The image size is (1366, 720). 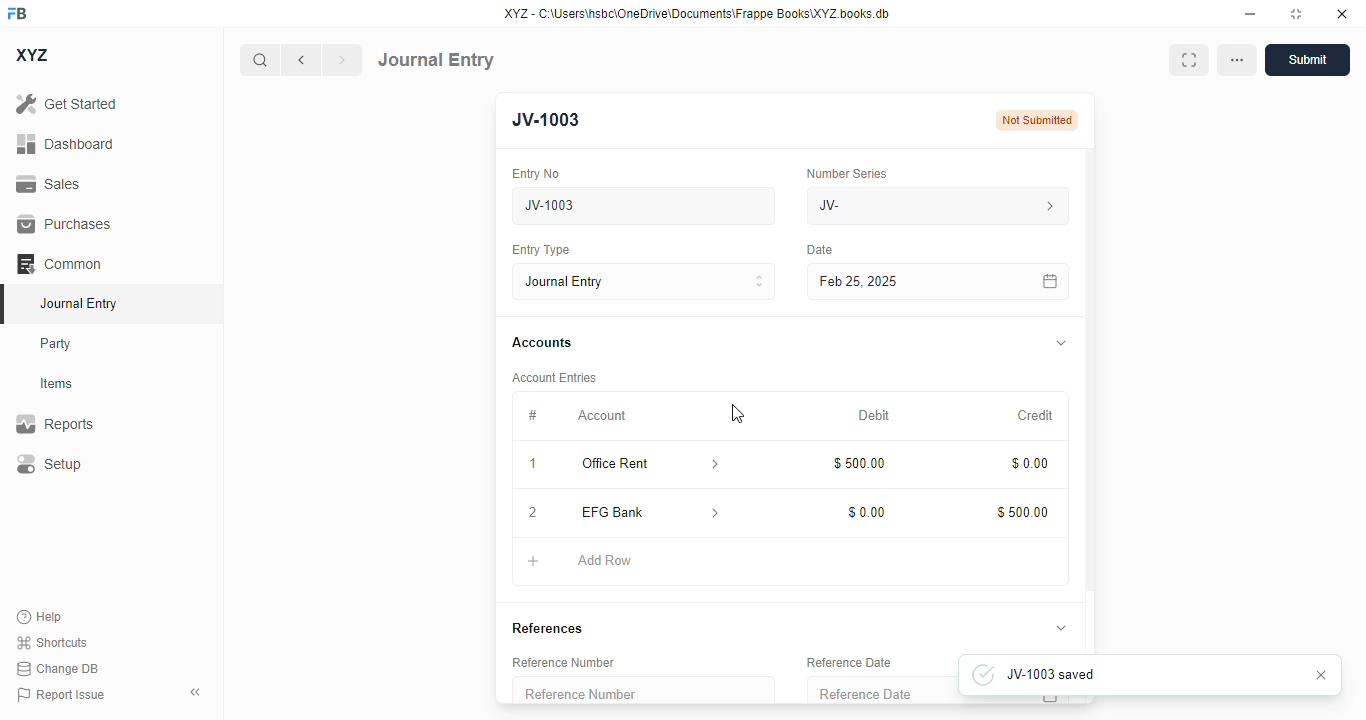 What do you see at coordinates (51, 642) in the screenshot?
I see `shortcuts` at bounding box center [51, 642].